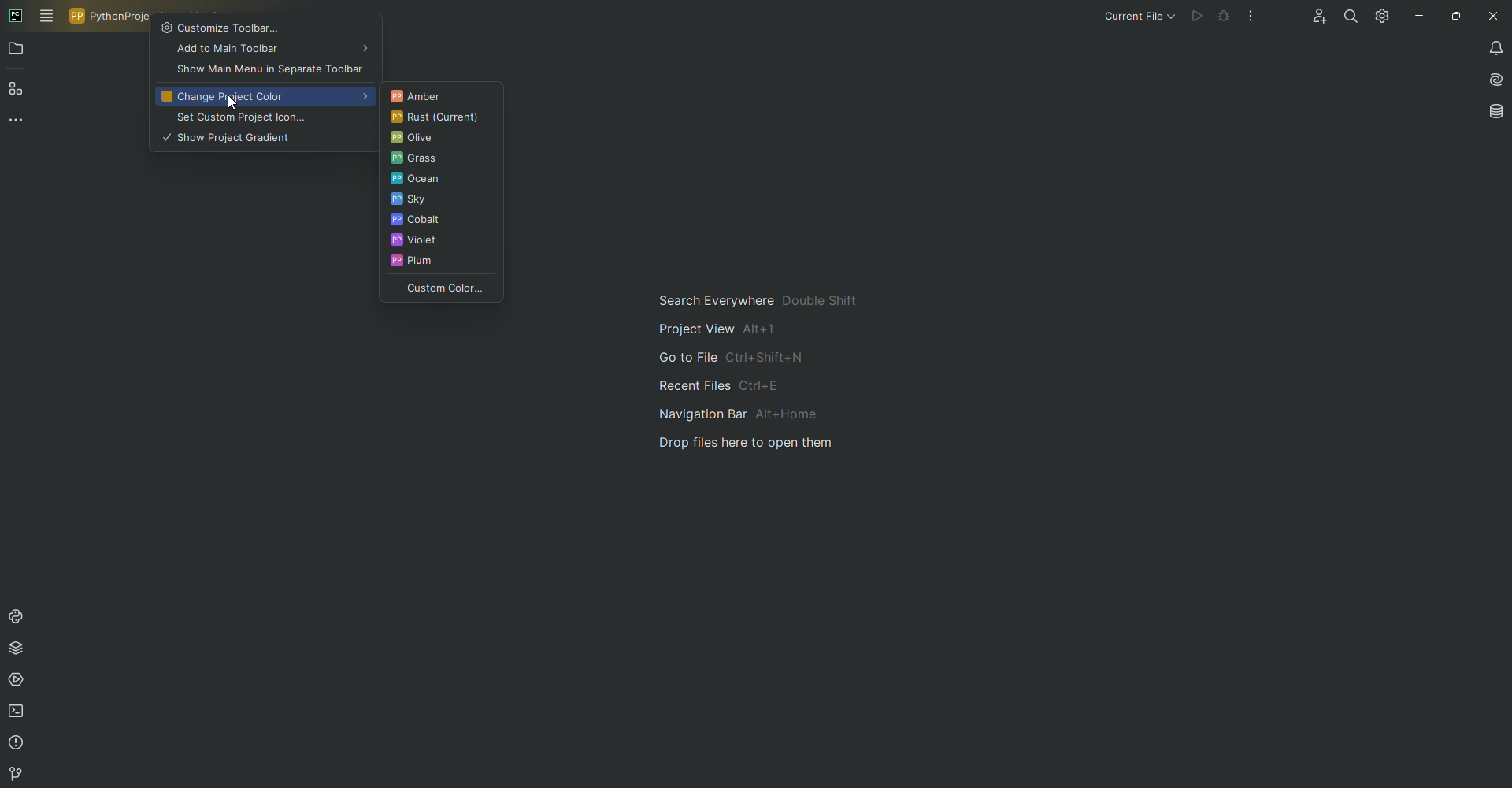  I want to click on Change Project Color, so click(263, 97).